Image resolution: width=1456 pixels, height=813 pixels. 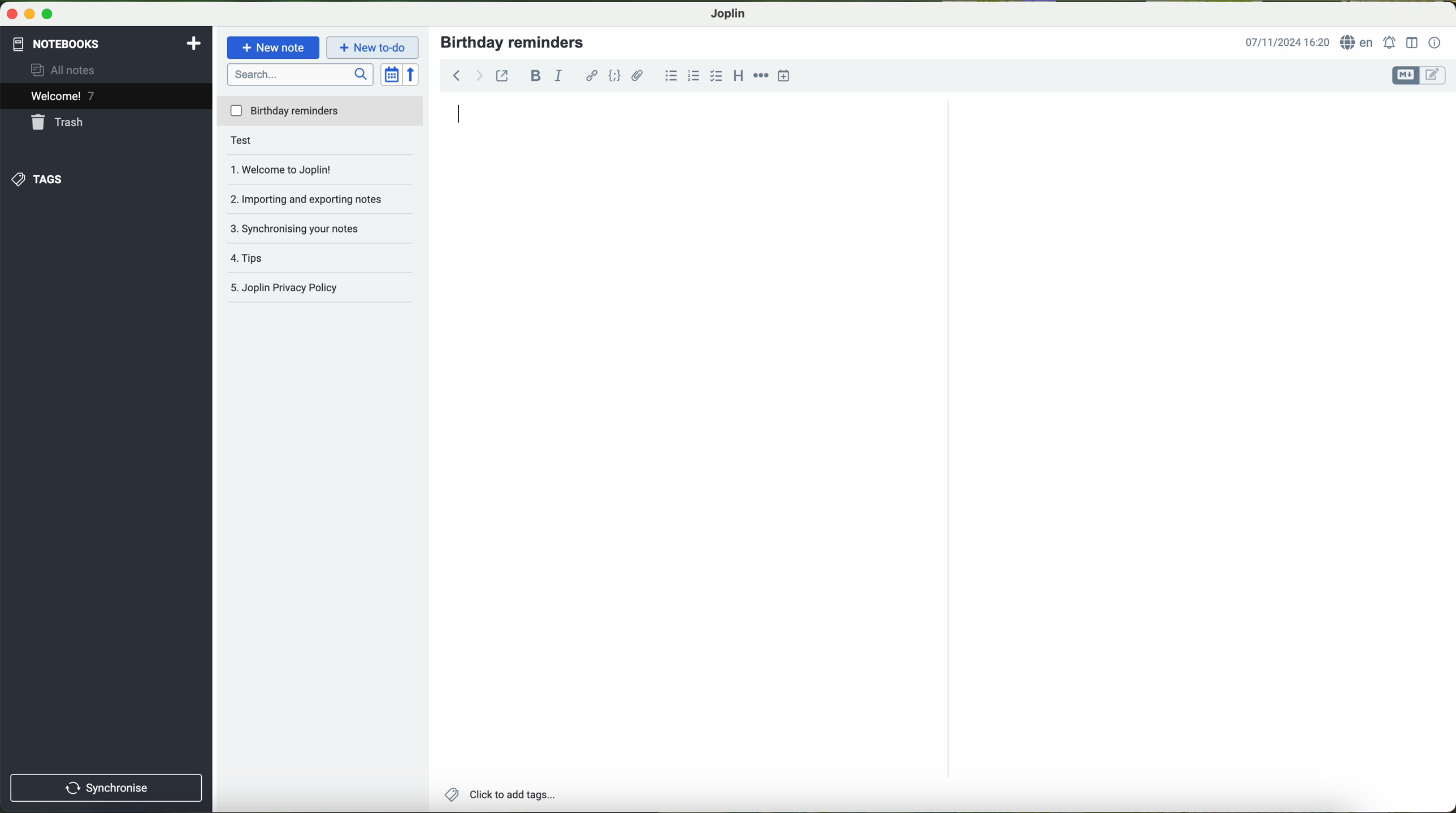 I want to click on Joplin, so click(x=728, y=15).